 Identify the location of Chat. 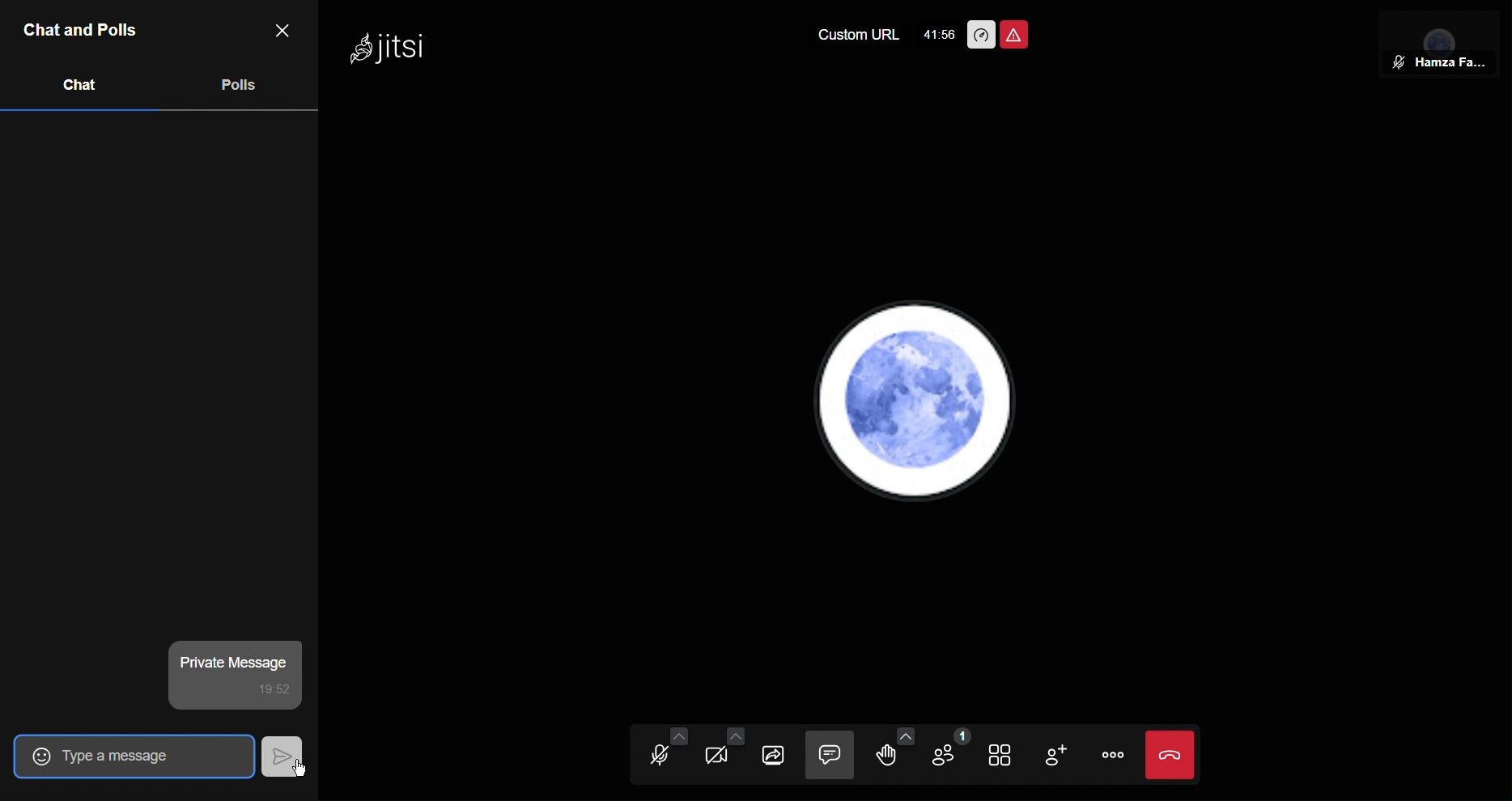
(79, 84).